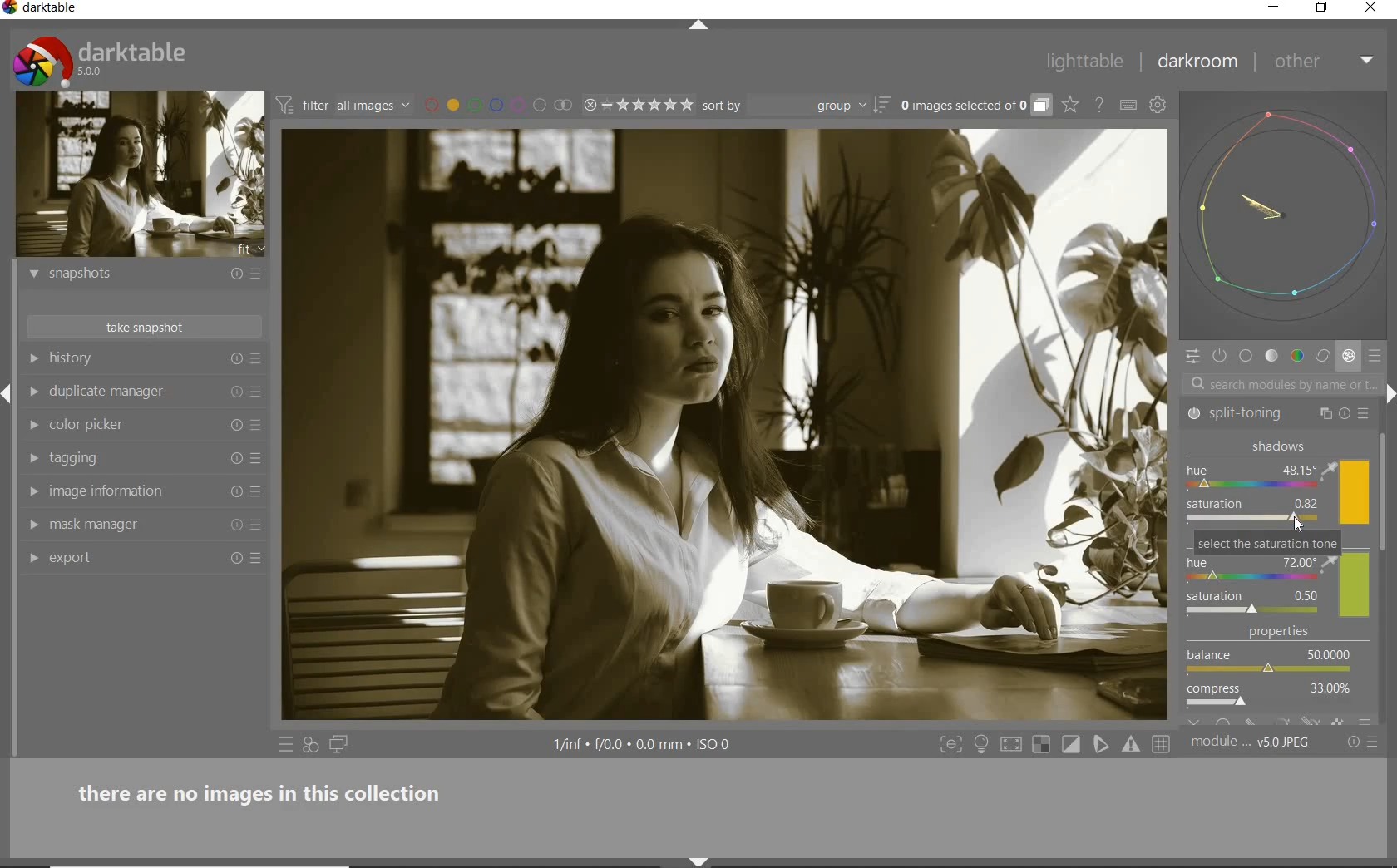  What do you see at coordinates (133, 556) in the screenshot?
I see `export` at bounding box center [133, 556].